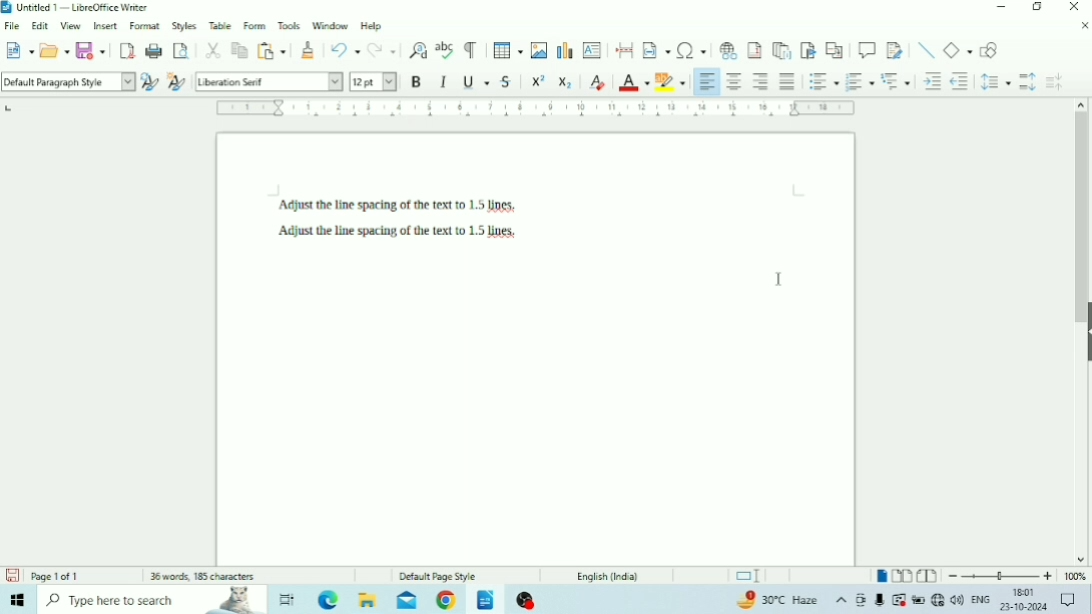 Image resolution: width=1092 pixels, height=614 pixels. What do you see at coordinates (981, 599) in the screenshot?
I see `Language` at bounding box center [981, 599].